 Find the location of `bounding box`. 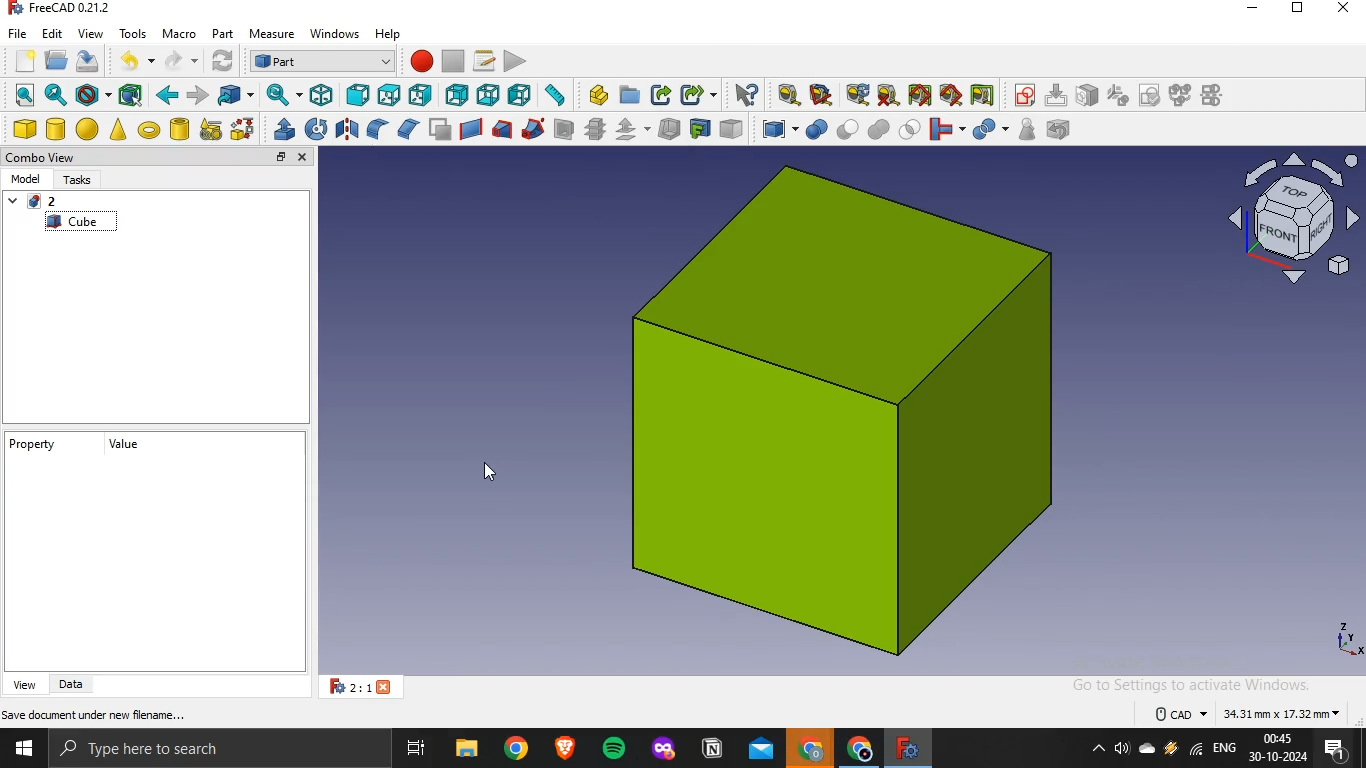

bounding box is located at coordinates (129, 95).